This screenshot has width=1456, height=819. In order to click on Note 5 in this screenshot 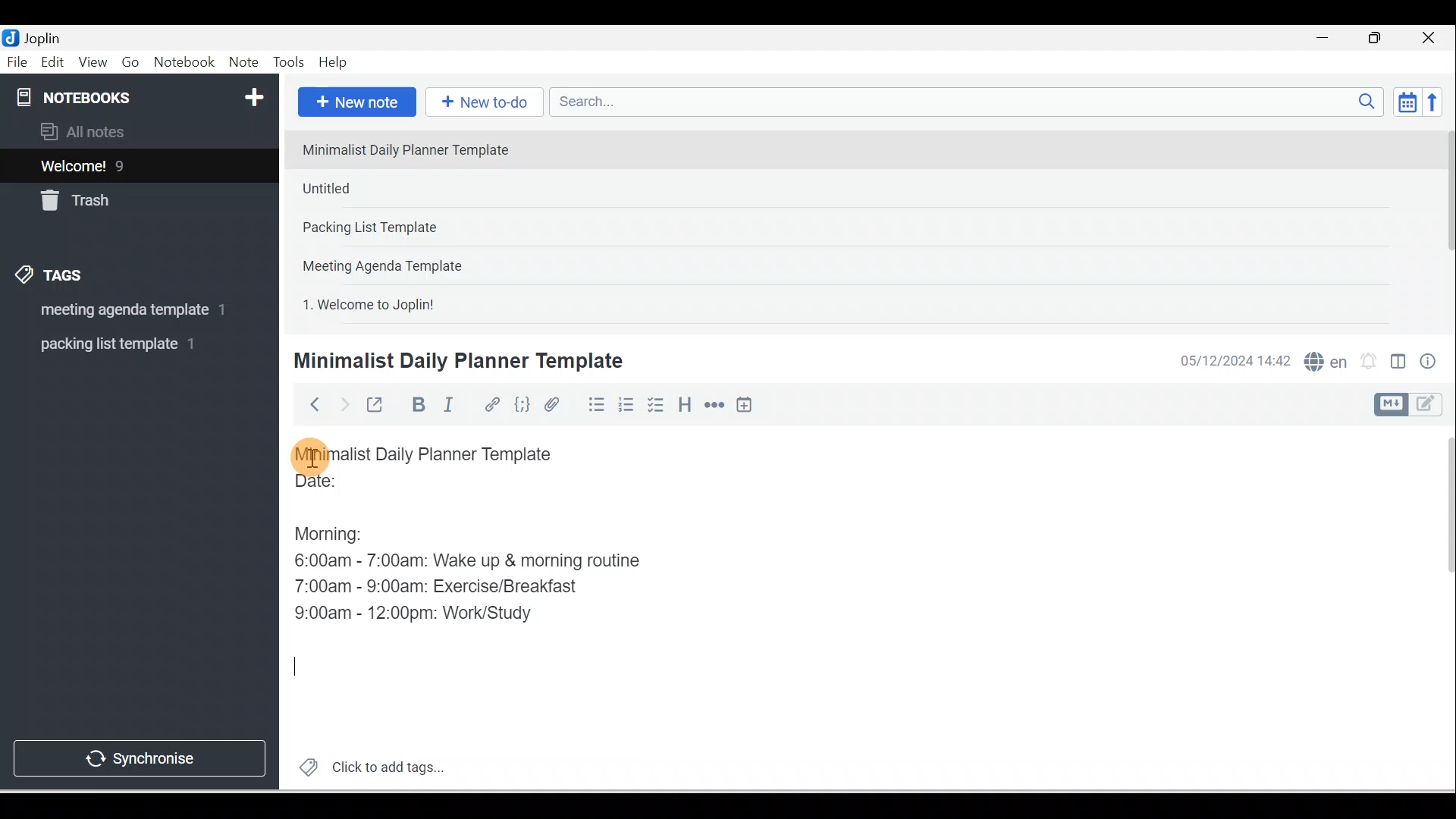, I will do `click(424, 303)`.